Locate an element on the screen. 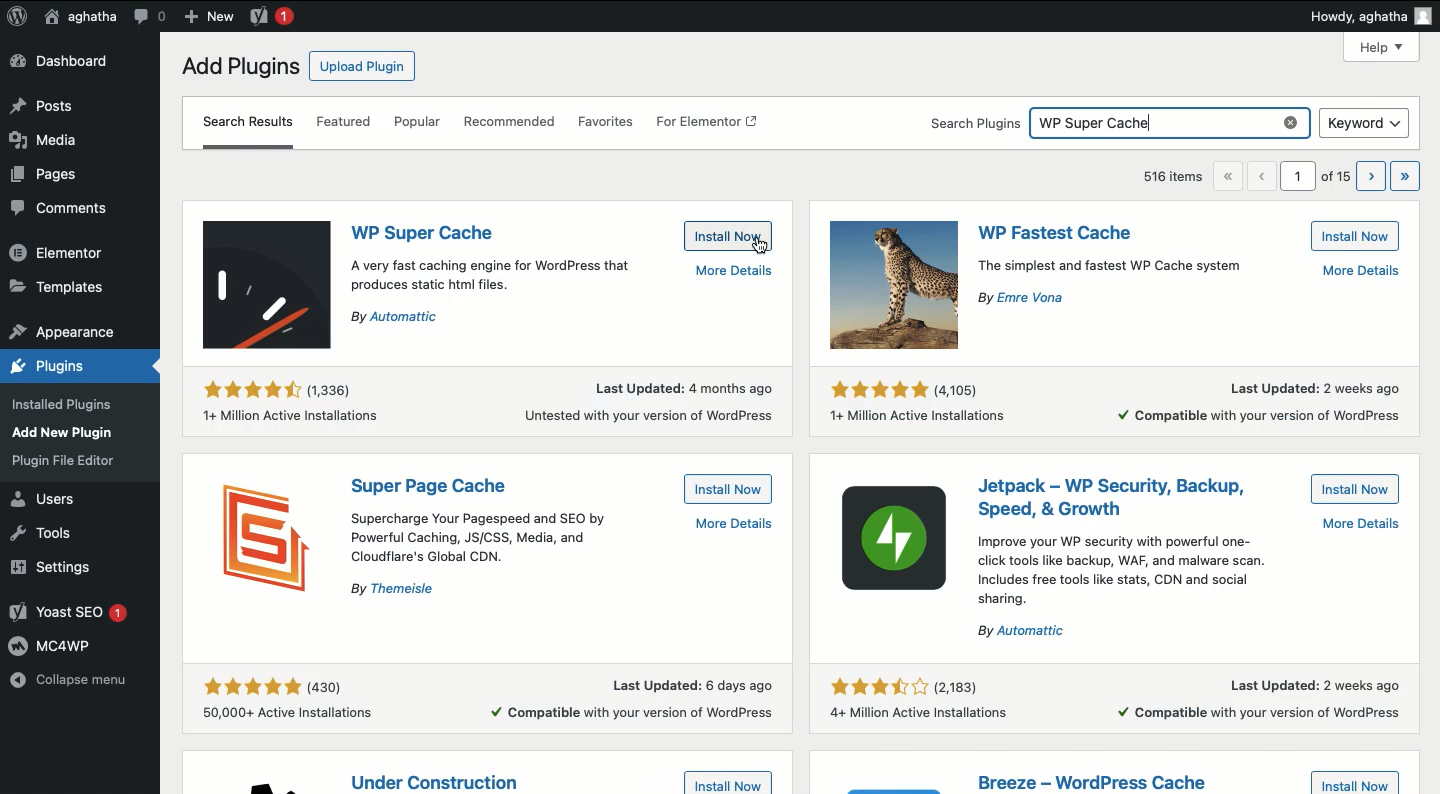 The width and height of the screenshot is (1440, 794). Install now is located at coordinates (728, 489).